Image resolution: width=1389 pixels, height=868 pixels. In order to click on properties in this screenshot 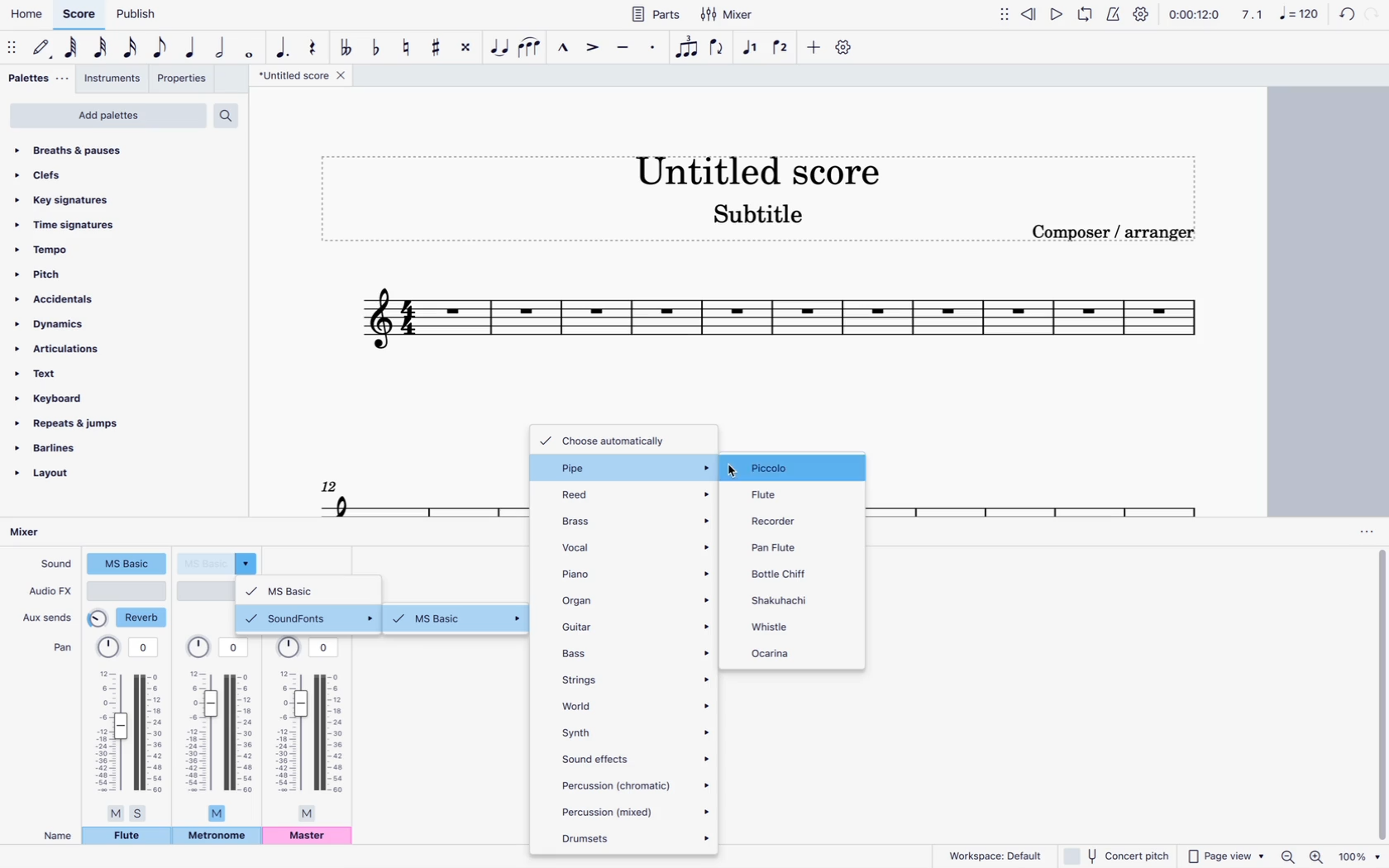, I will do `click(185, 81)`.